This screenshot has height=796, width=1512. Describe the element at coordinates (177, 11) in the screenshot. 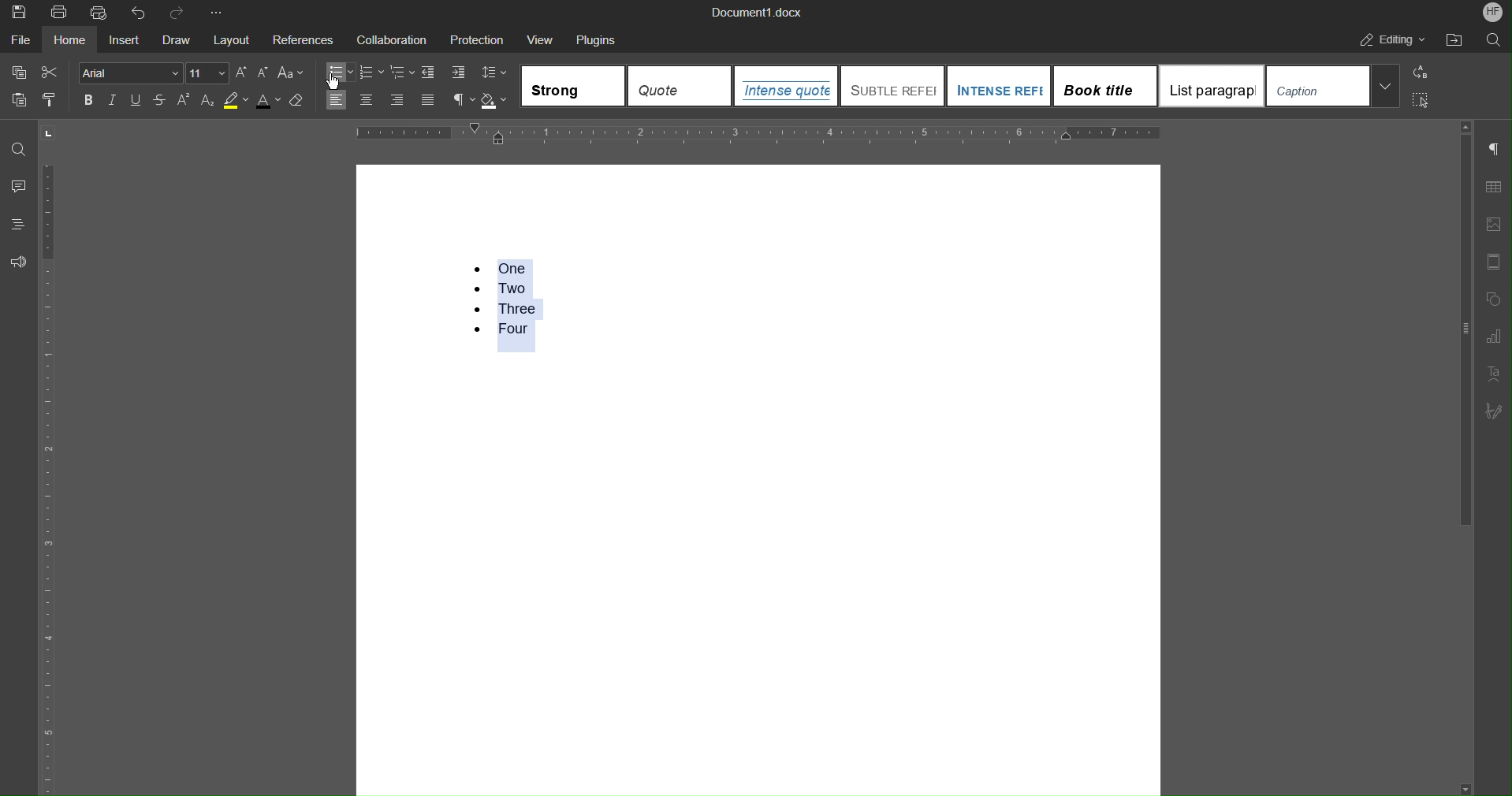

I see `Redo` at that location.